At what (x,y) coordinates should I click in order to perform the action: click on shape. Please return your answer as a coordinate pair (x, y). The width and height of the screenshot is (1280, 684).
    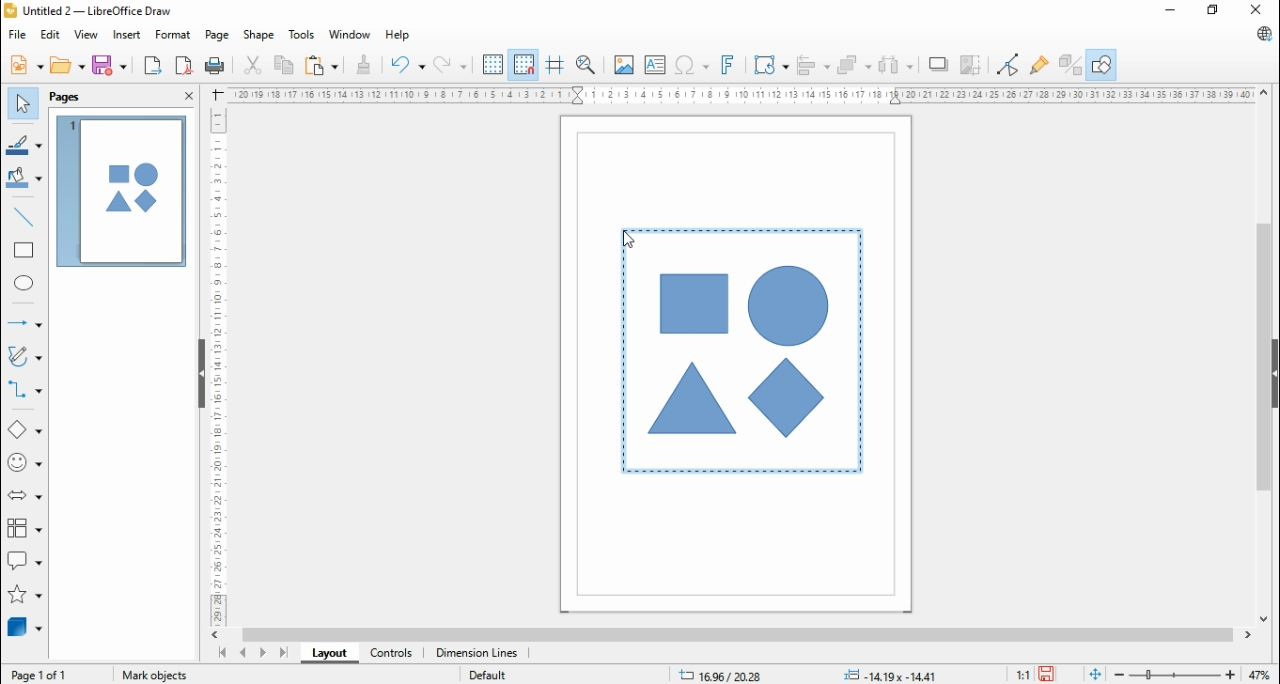
    Looking at the image, I should click on (258, 35).